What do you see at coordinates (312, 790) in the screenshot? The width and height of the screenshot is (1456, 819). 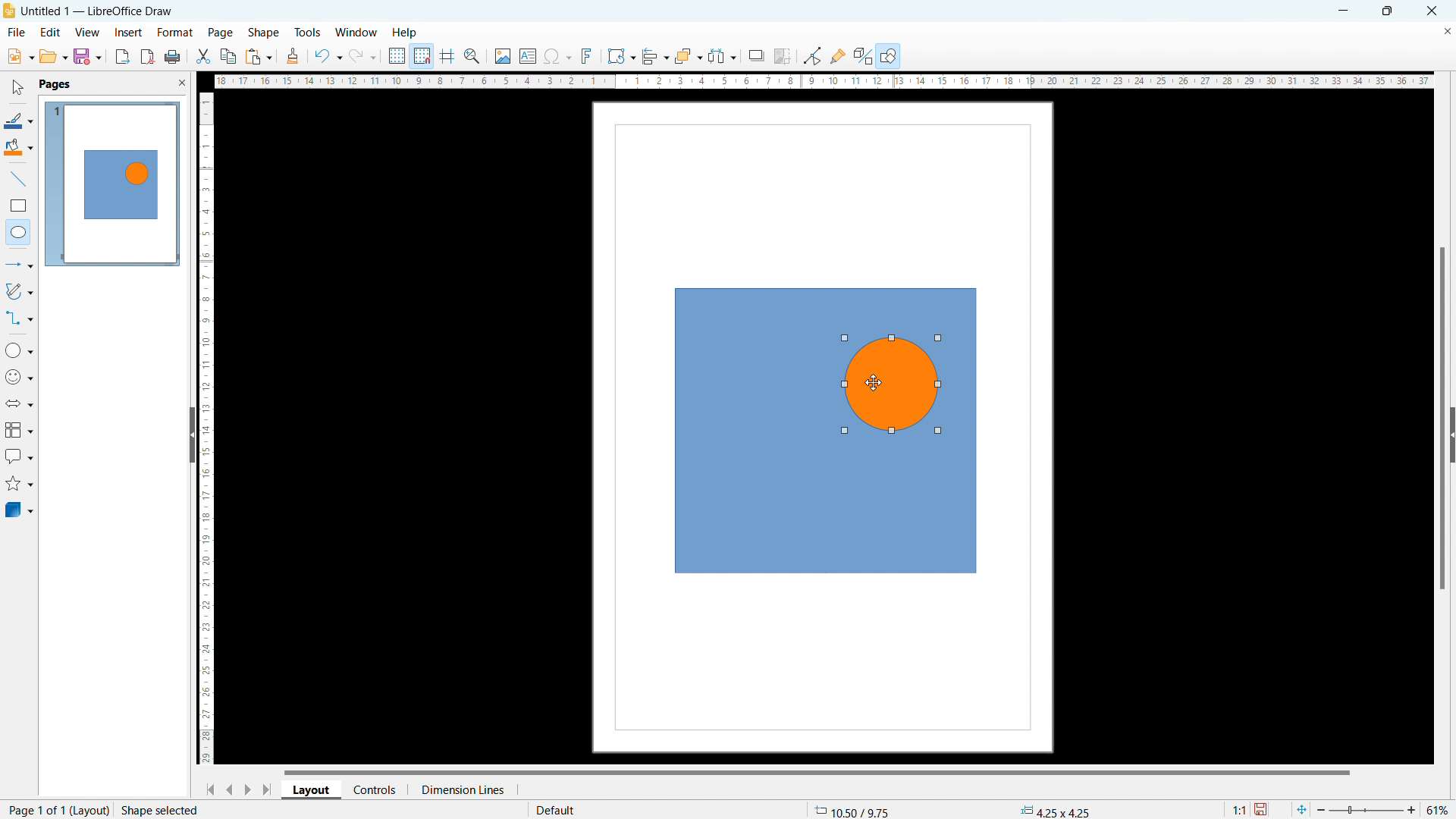 I see `layout` at bounding box center [312, 790].